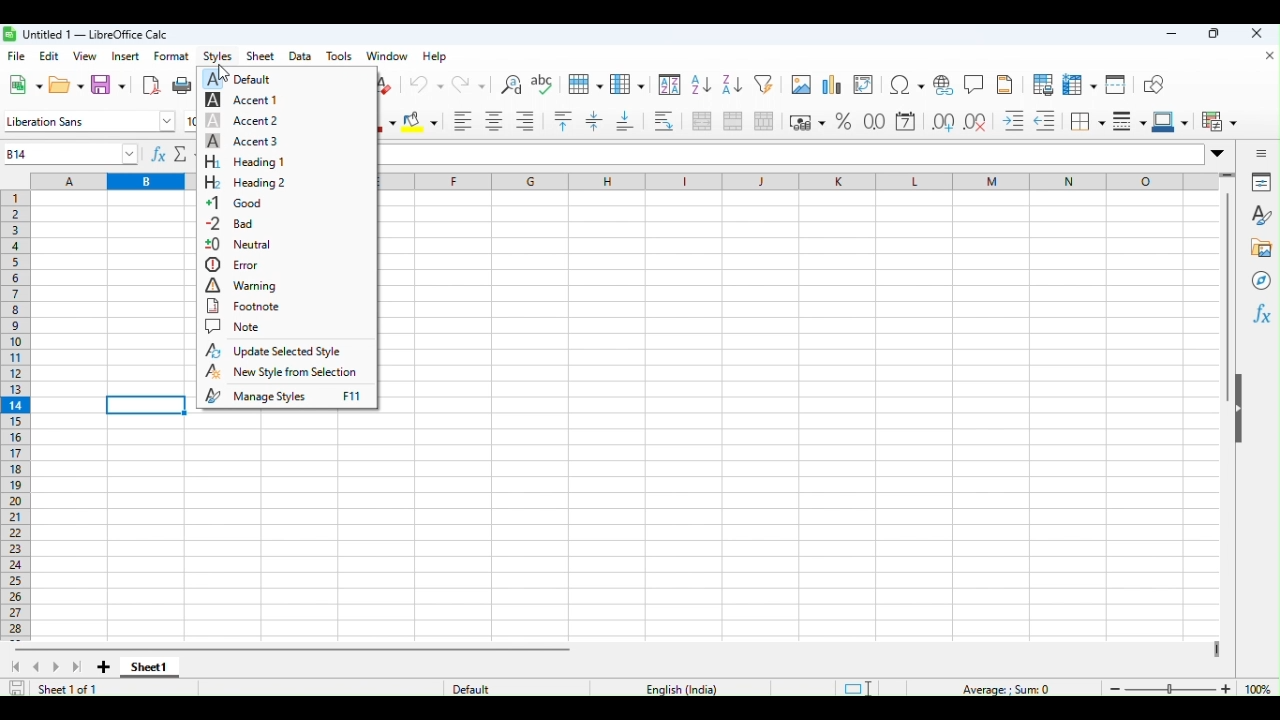 Image resolution: width=1280 pixels, height=720 pixels. What do you see at coordinates (1226, 300) in the screenshot?
I see `Vertical scrollbar` at bounding box center [1226, 300].